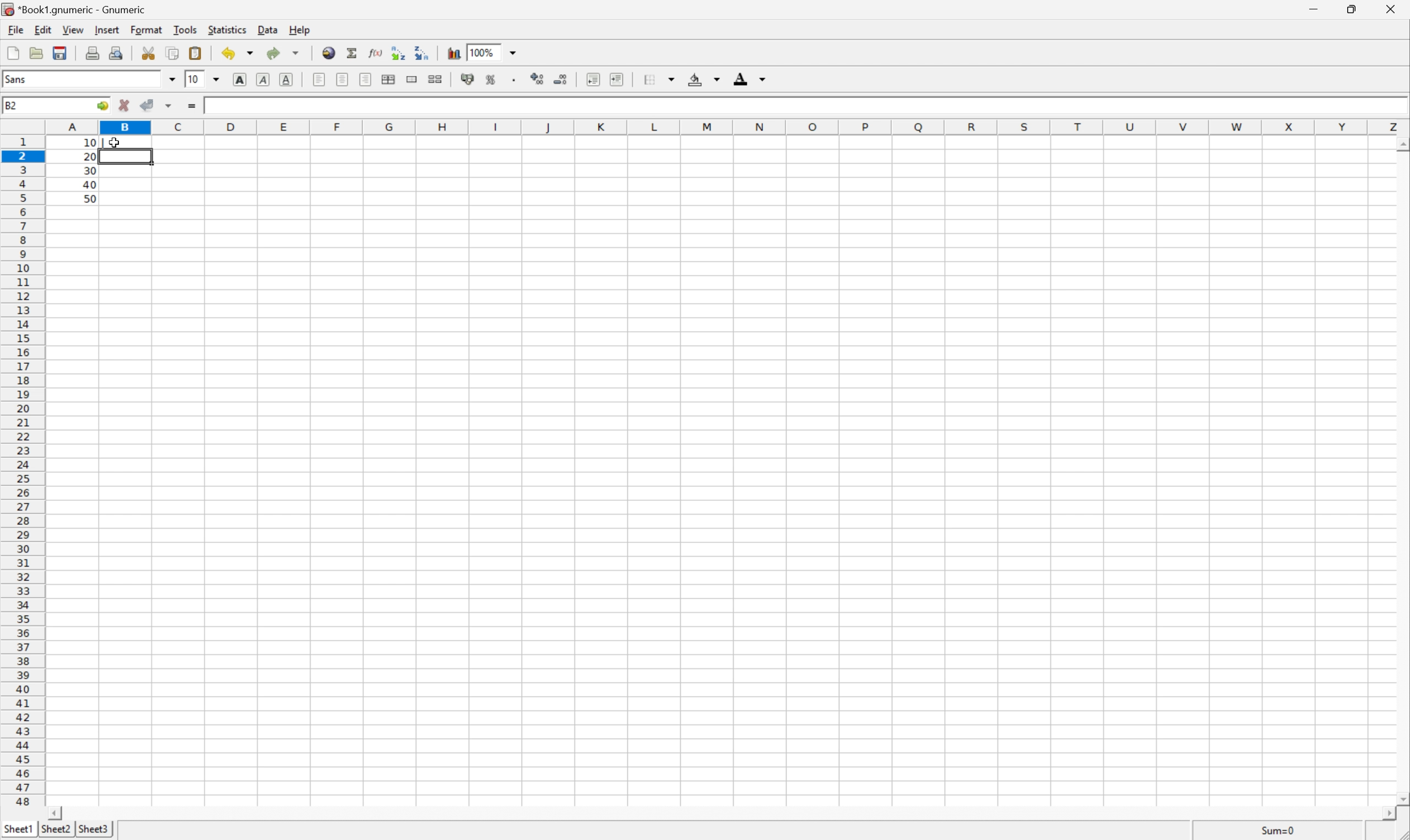 This screenshot has height=840, width=1410. I want to click on Center Horizontally, so click(343, 78).